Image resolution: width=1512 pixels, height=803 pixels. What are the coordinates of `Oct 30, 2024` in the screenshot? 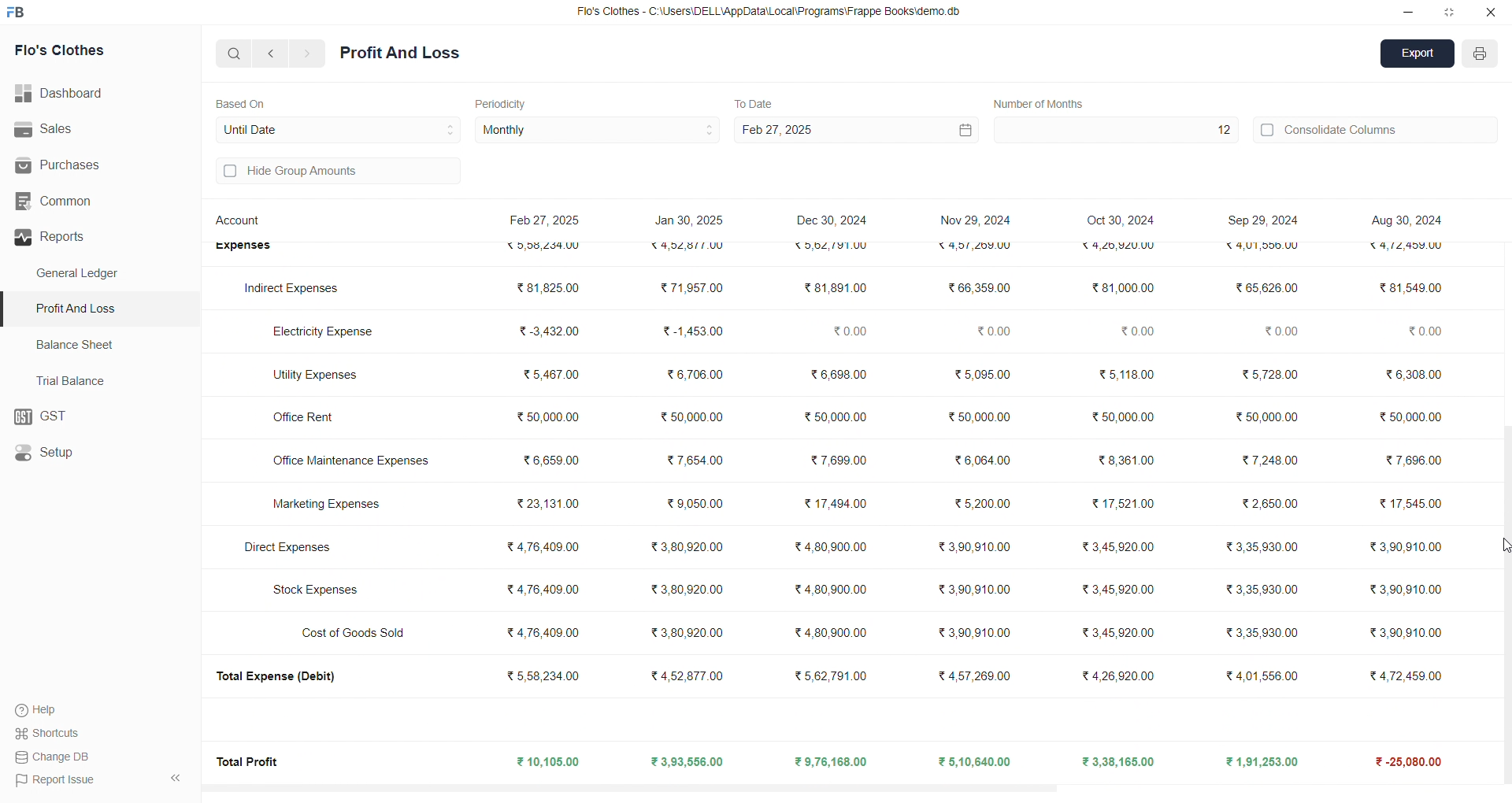 It's located at (1123, 221).